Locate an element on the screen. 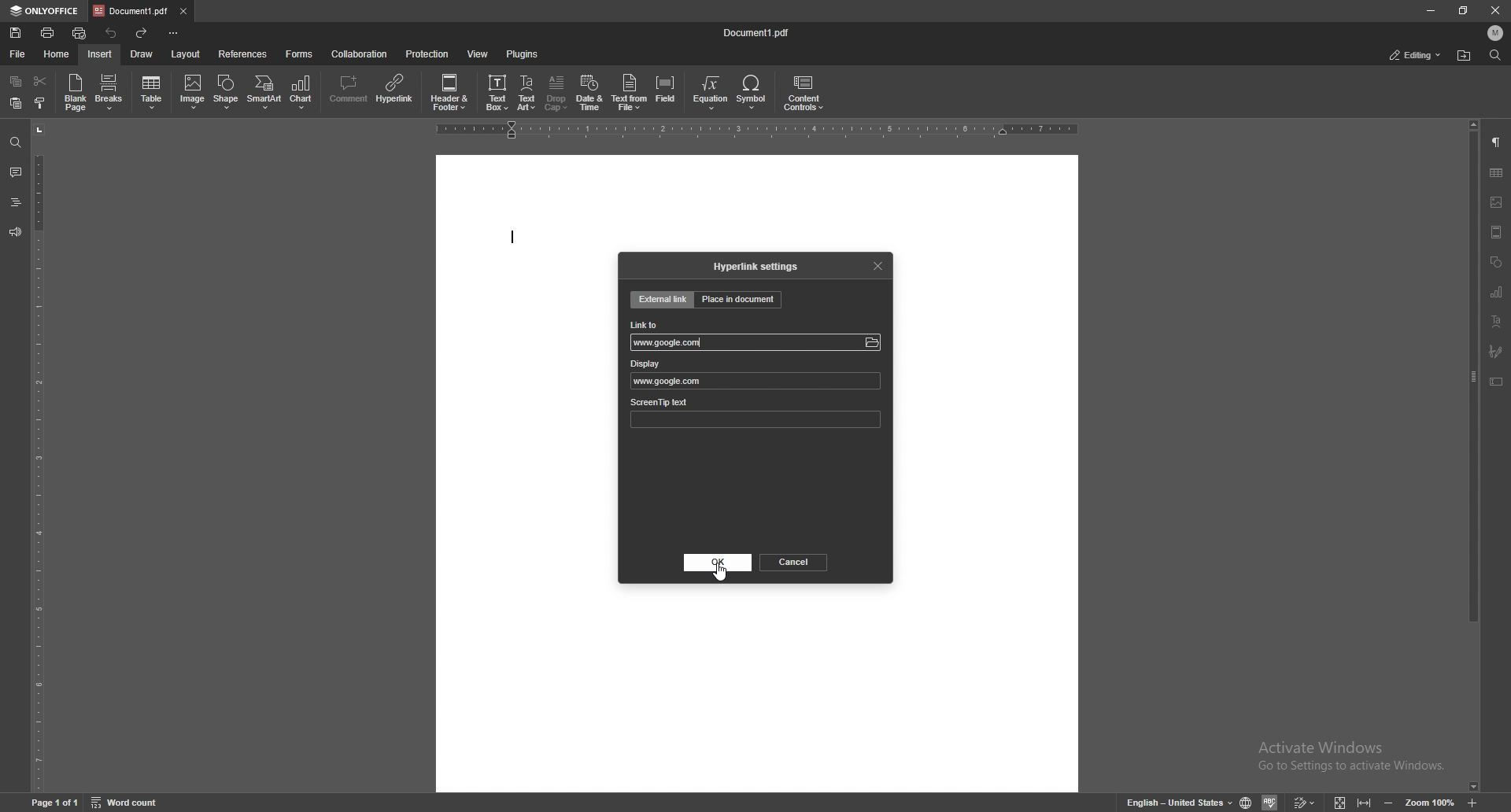  only office is located at coordinates (46, 11).